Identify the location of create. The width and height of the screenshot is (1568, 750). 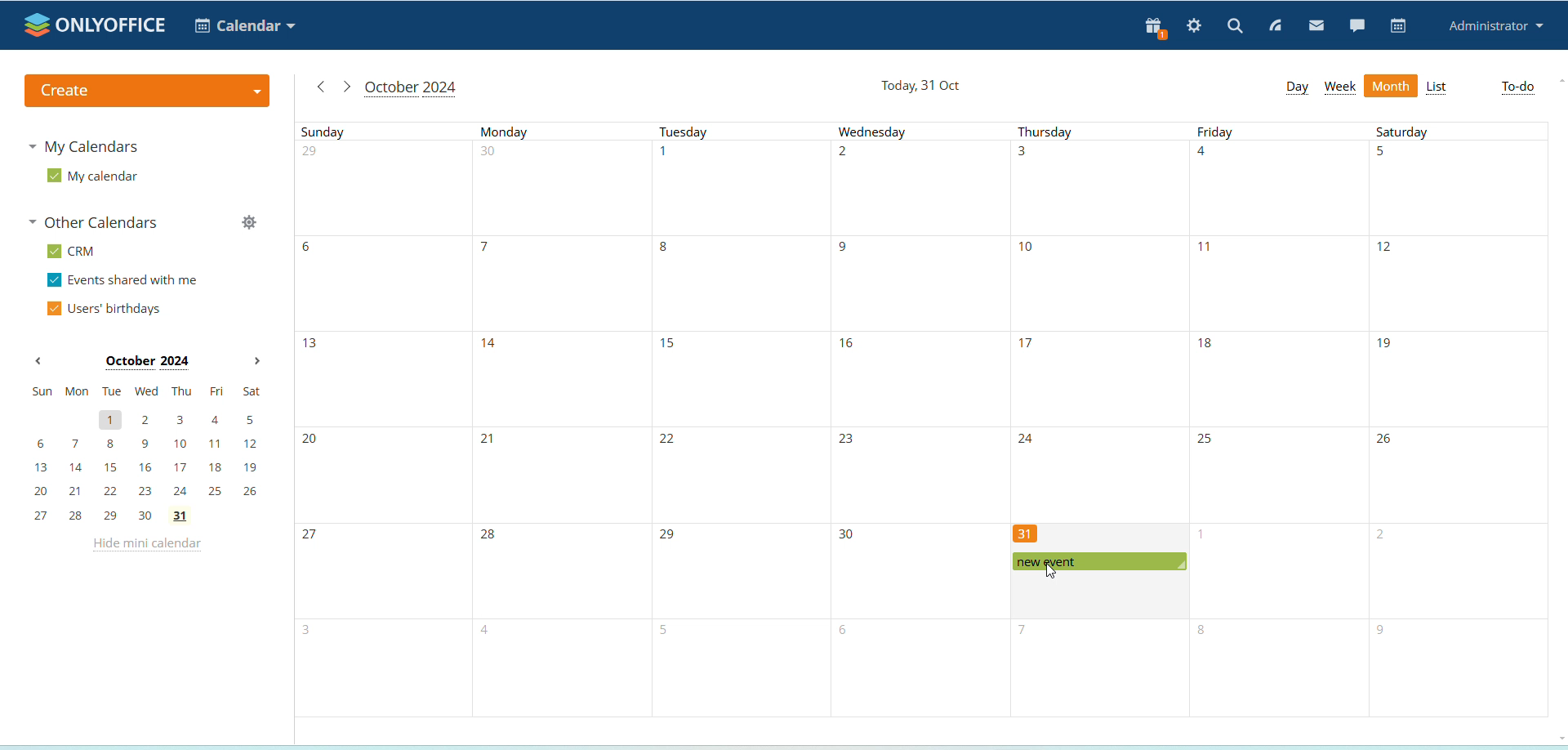
(145, 91).